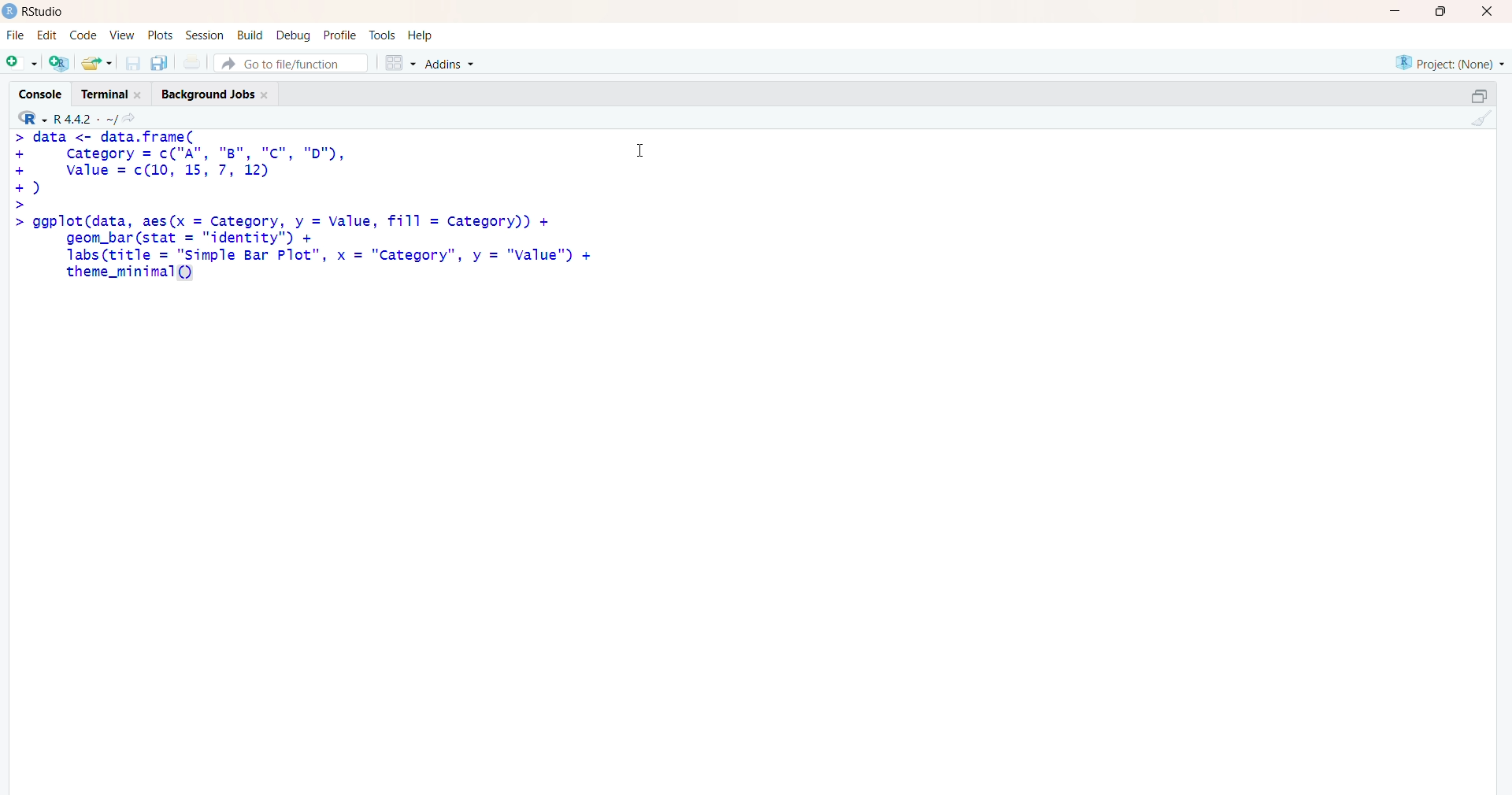 The height and width of the screenshot is (795, 1512). What do you see at coordinates (384, 35) in the screenshot?
I see `tools` at bounding box center [384, 35].